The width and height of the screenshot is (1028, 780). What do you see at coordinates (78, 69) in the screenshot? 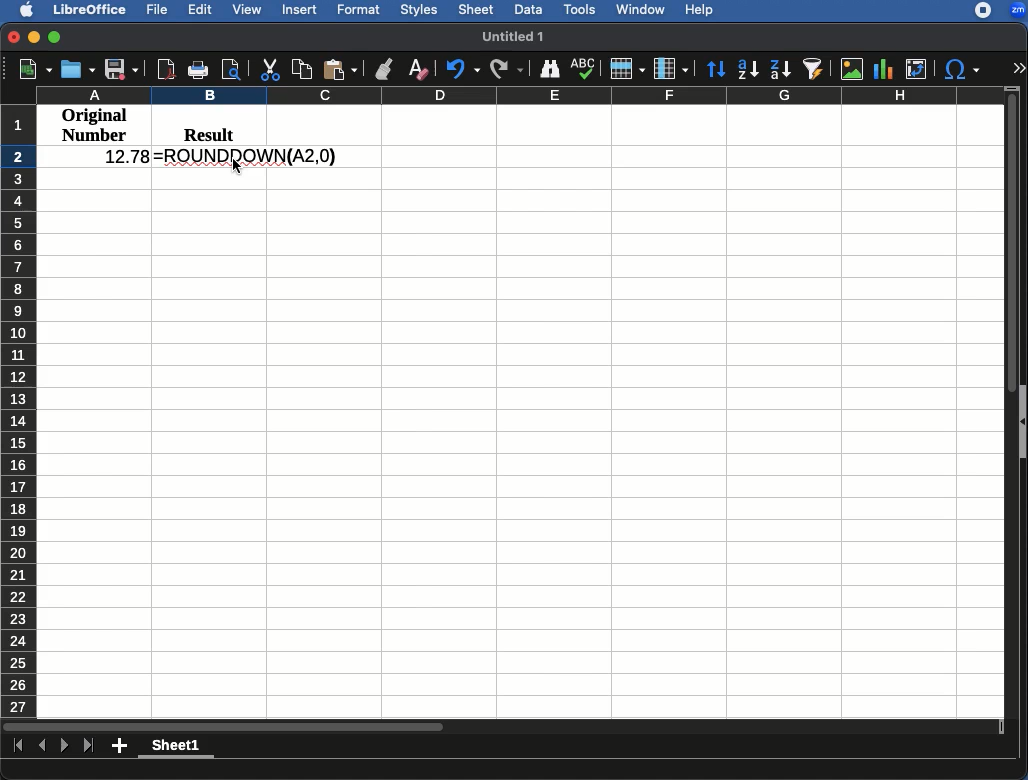
I see `Open` at bounding box center [78, 69].